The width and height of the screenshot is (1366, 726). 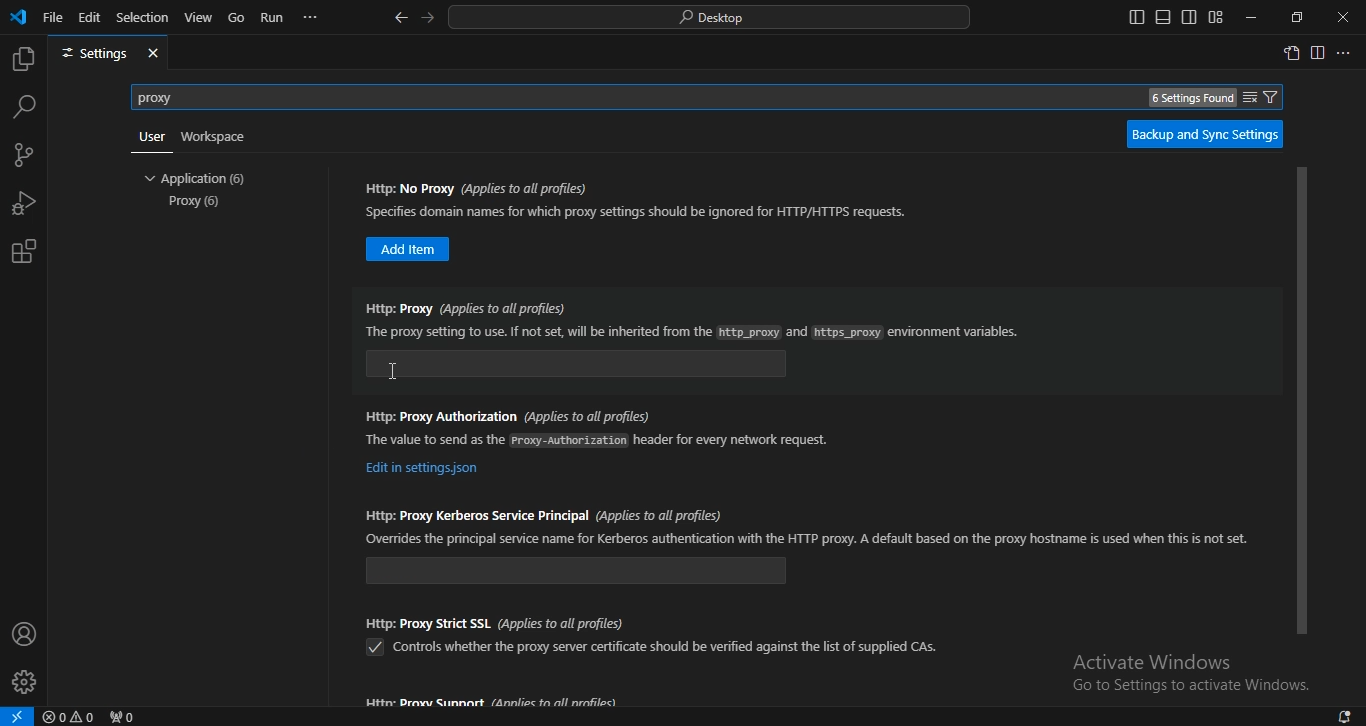 What do you see at coordinates (23, 108) in the screenshot?
I see `search` at bounding box center [23, 108].